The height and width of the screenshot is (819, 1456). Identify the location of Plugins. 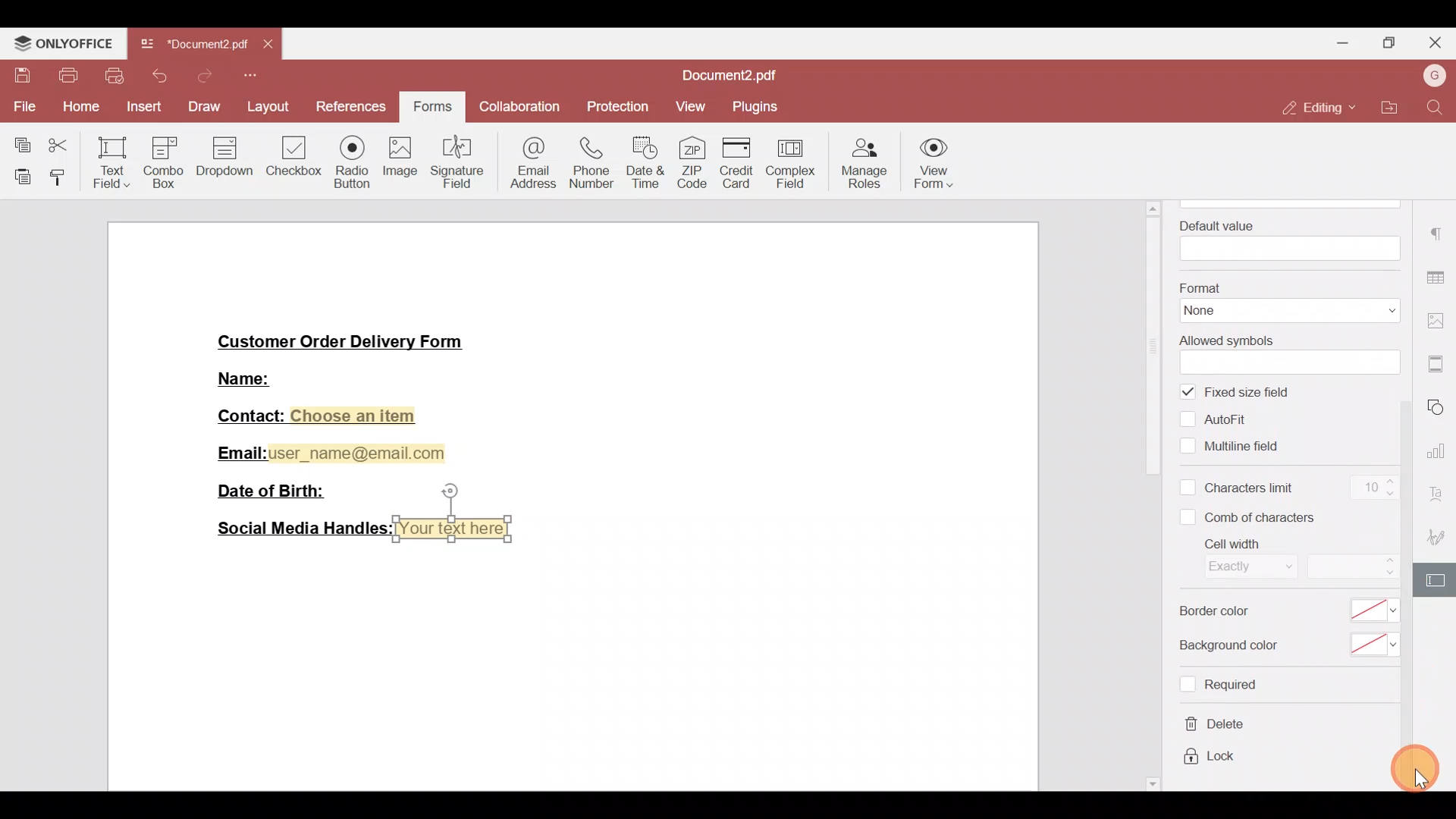
(756, 107).